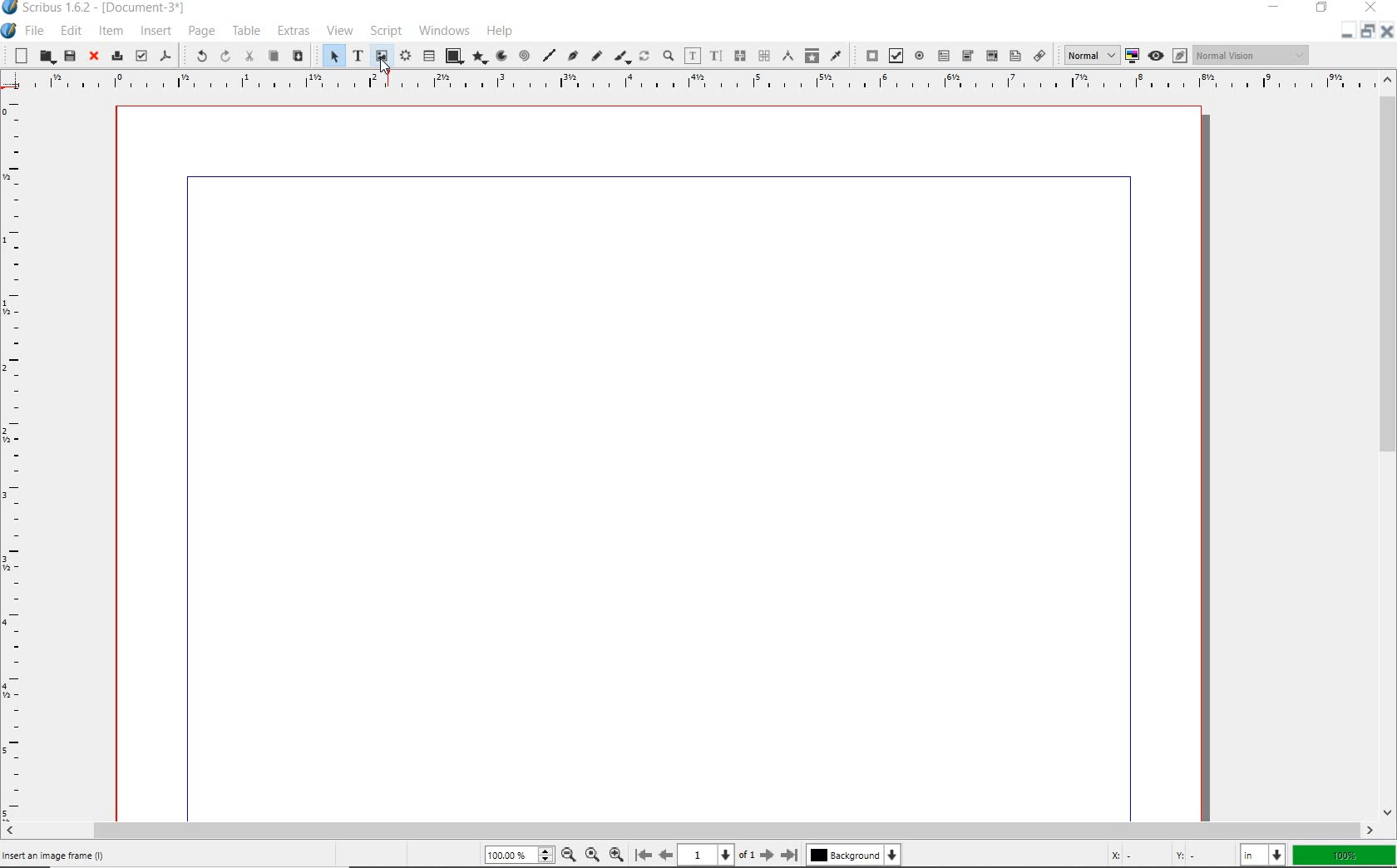 Image resolution: width=1397 pixels, height=868 pixels. Describe the element at coordinates (643, 856) in the screenshot. I see `first` at that location.